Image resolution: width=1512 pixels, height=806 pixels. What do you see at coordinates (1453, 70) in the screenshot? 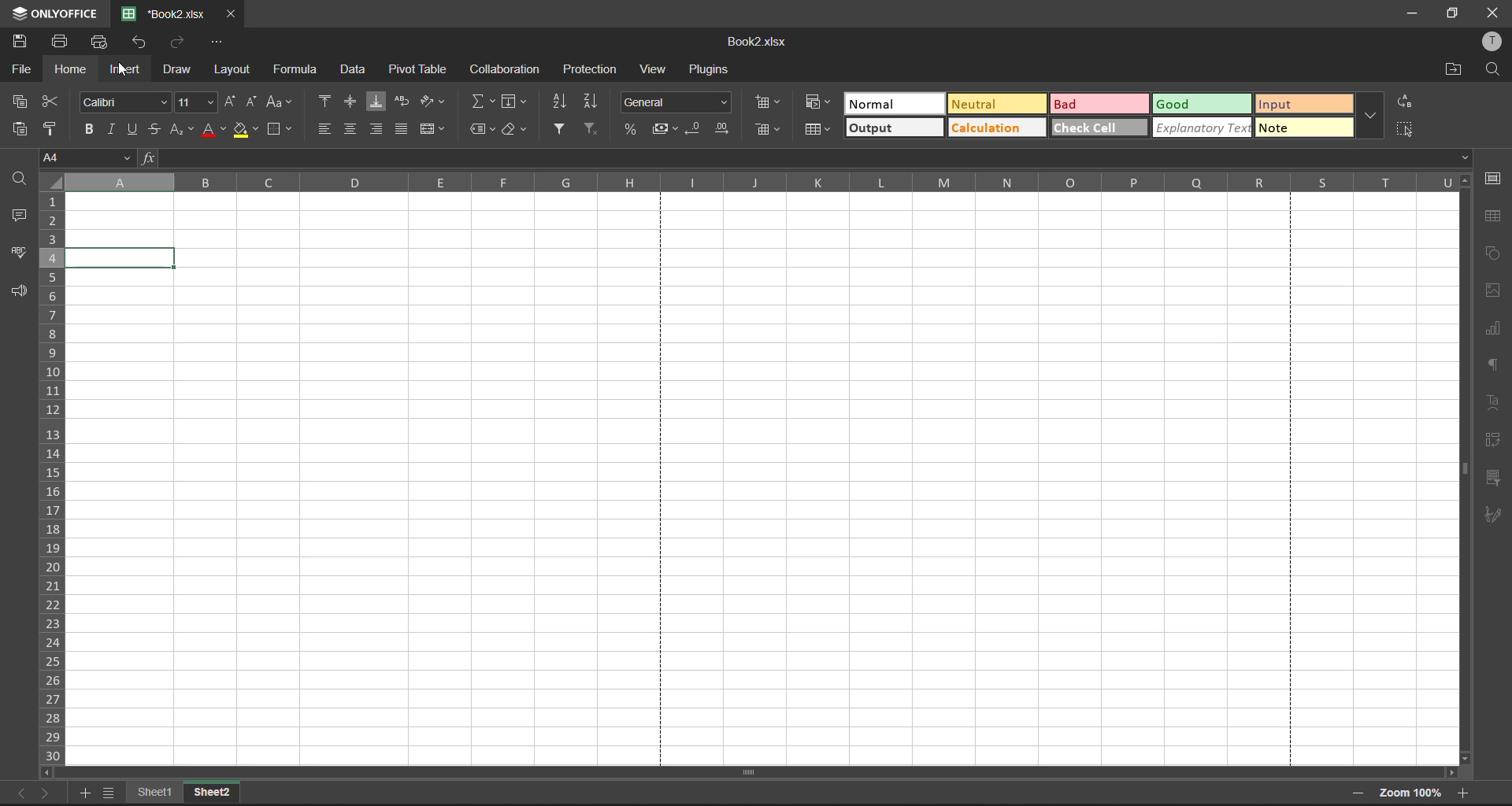
I see `open location` at bounding box center [1453, 70].